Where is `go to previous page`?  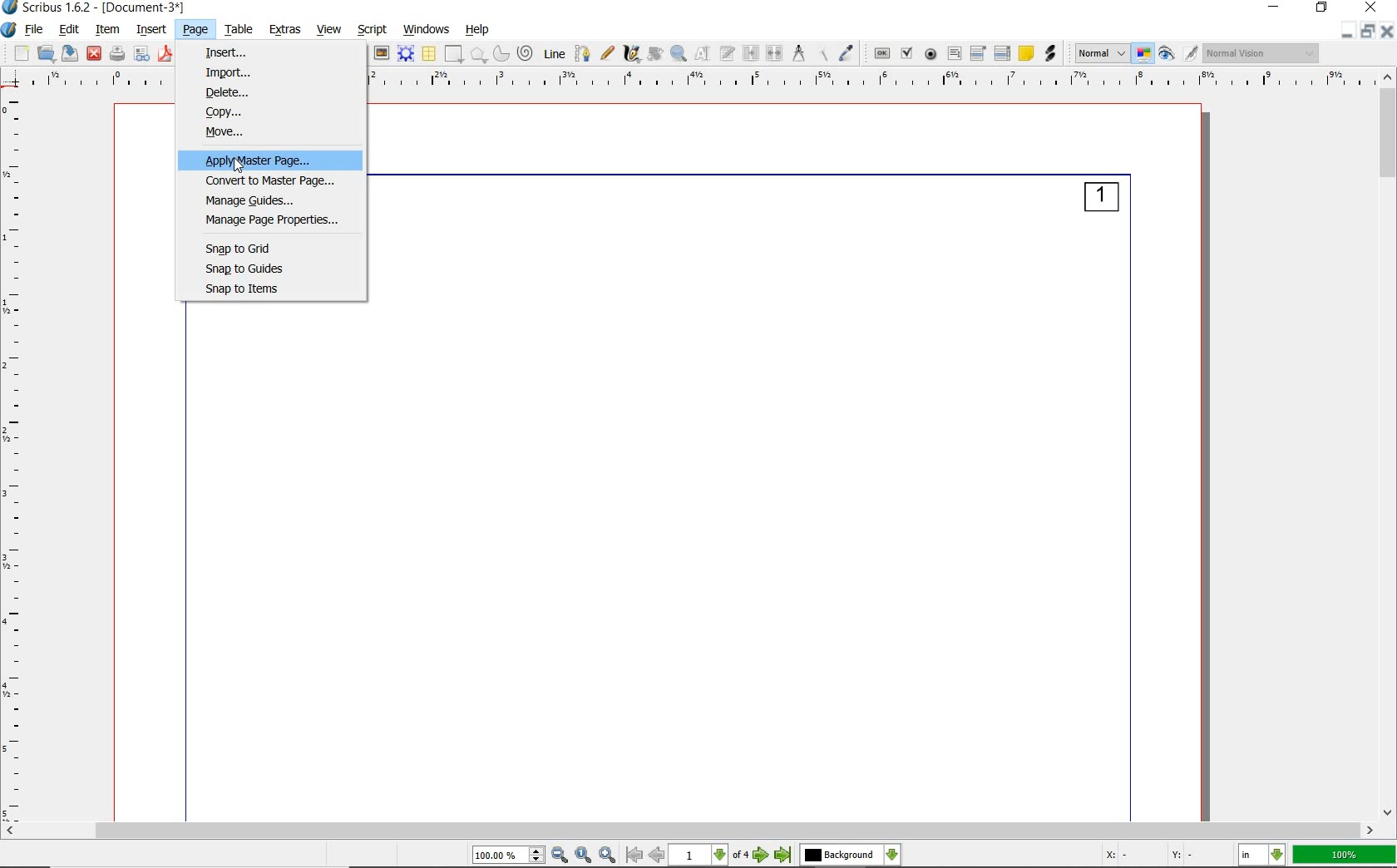
go to previous page is located at coordinates (658, 856).